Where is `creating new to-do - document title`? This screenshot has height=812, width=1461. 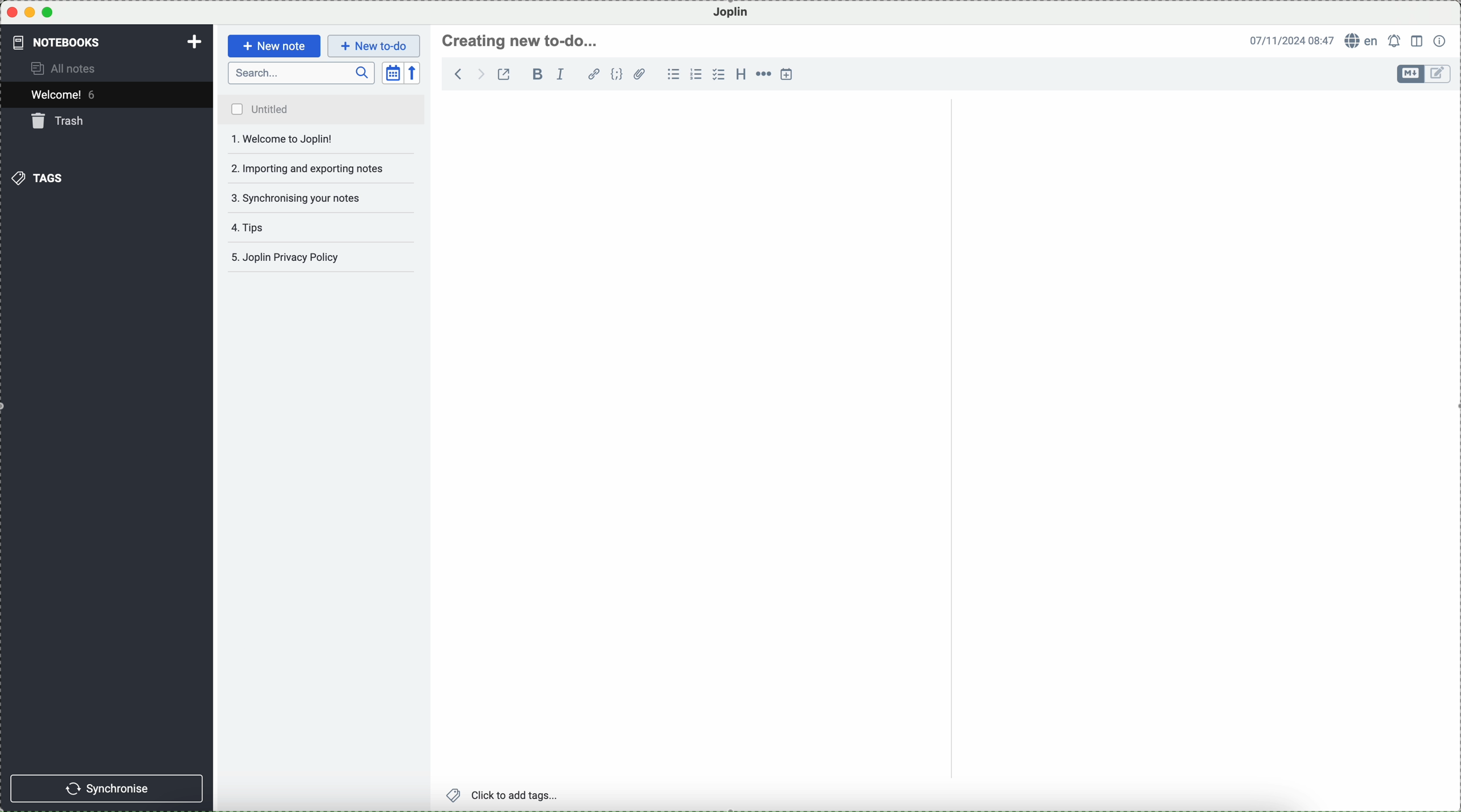 creating new to-do - document title is located at coordinates (521, 40).